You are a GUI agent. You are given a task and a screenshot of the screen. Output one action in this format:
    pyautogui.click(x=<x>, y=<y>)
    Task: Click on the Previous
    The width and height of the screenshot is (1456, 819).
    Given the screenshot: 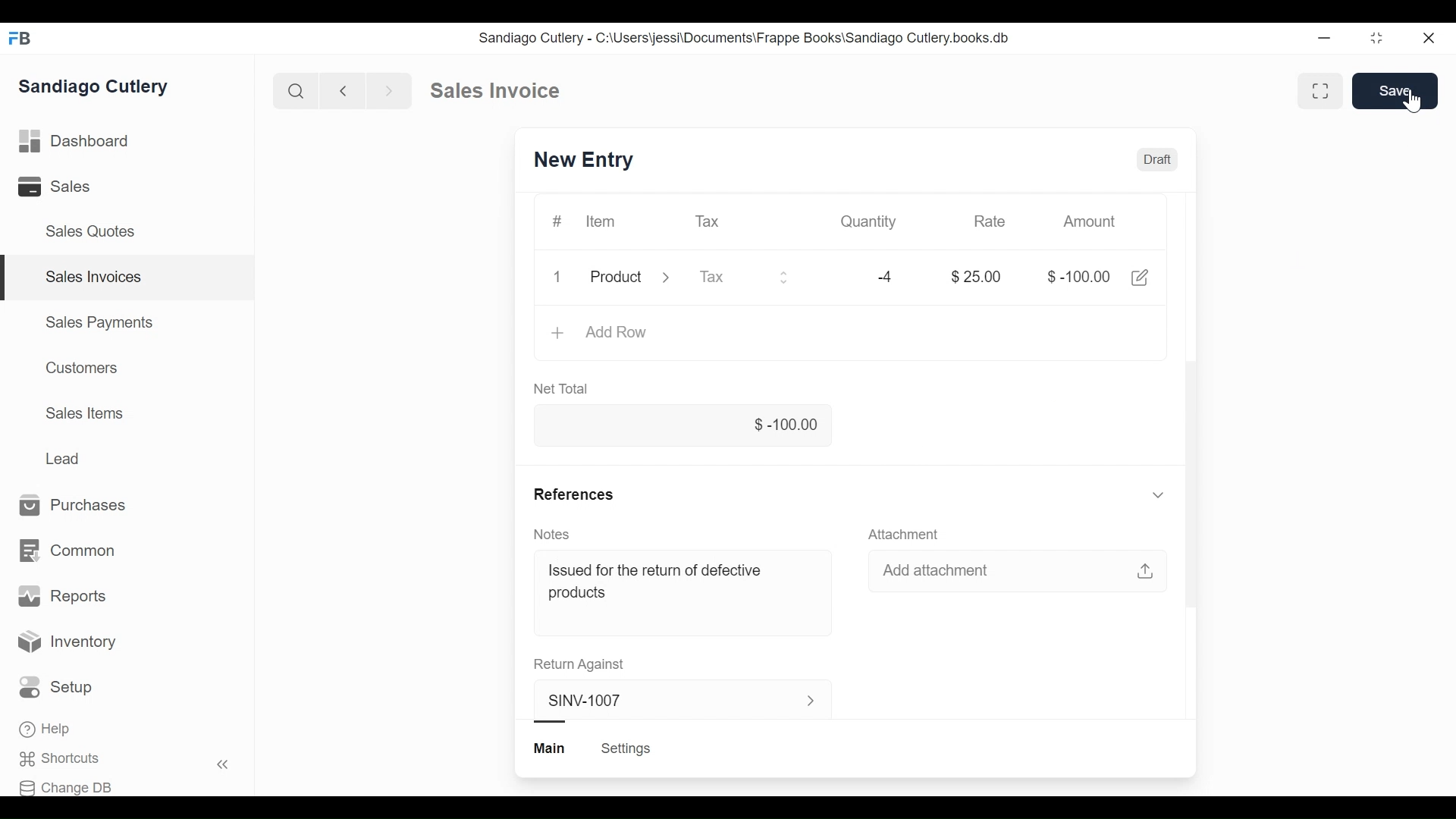 What is the action you would take?
    pyautogui.click(x=344, y=90)
    